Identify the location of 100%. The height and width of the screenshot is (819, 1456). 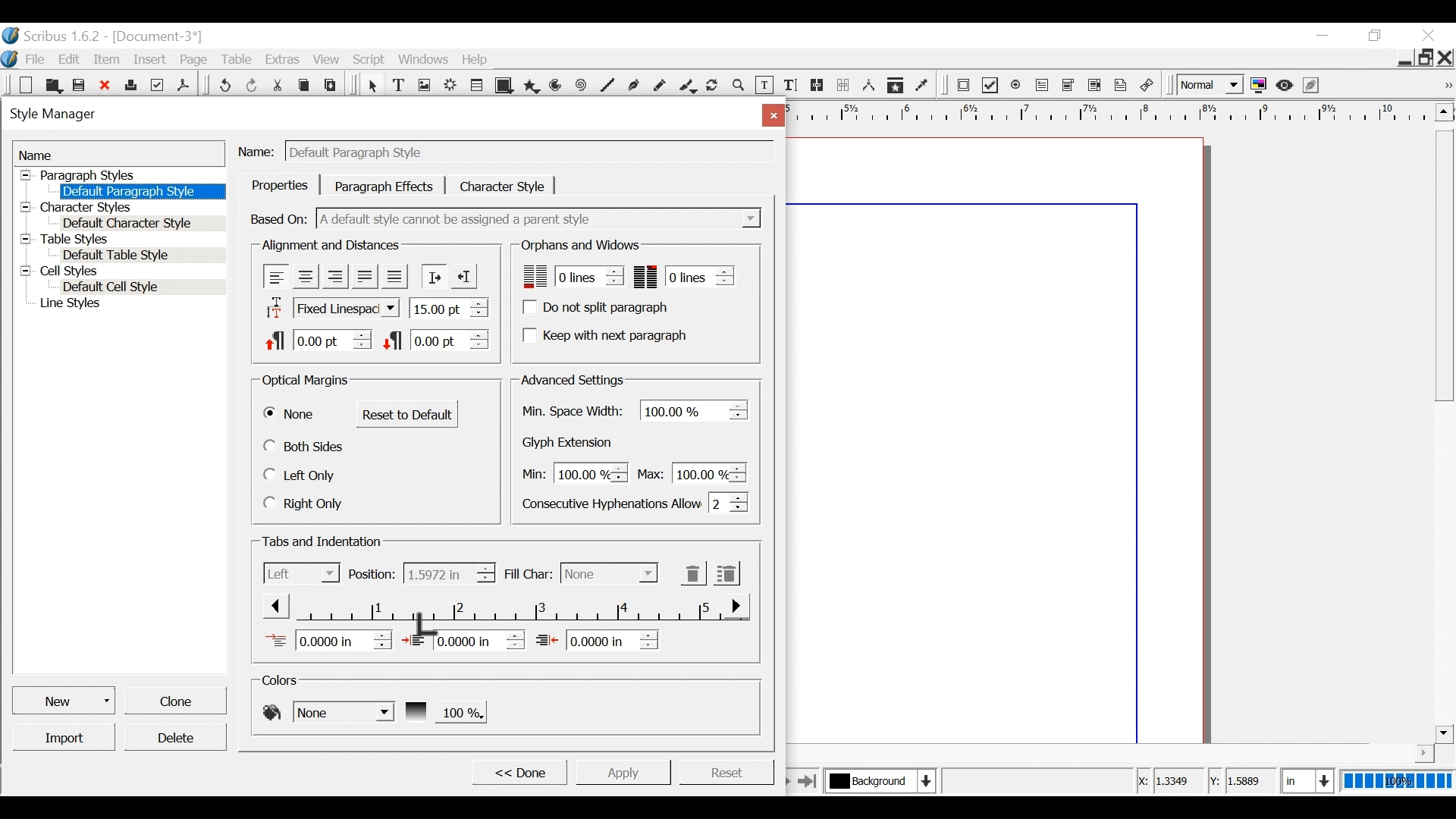
(1395, 781).